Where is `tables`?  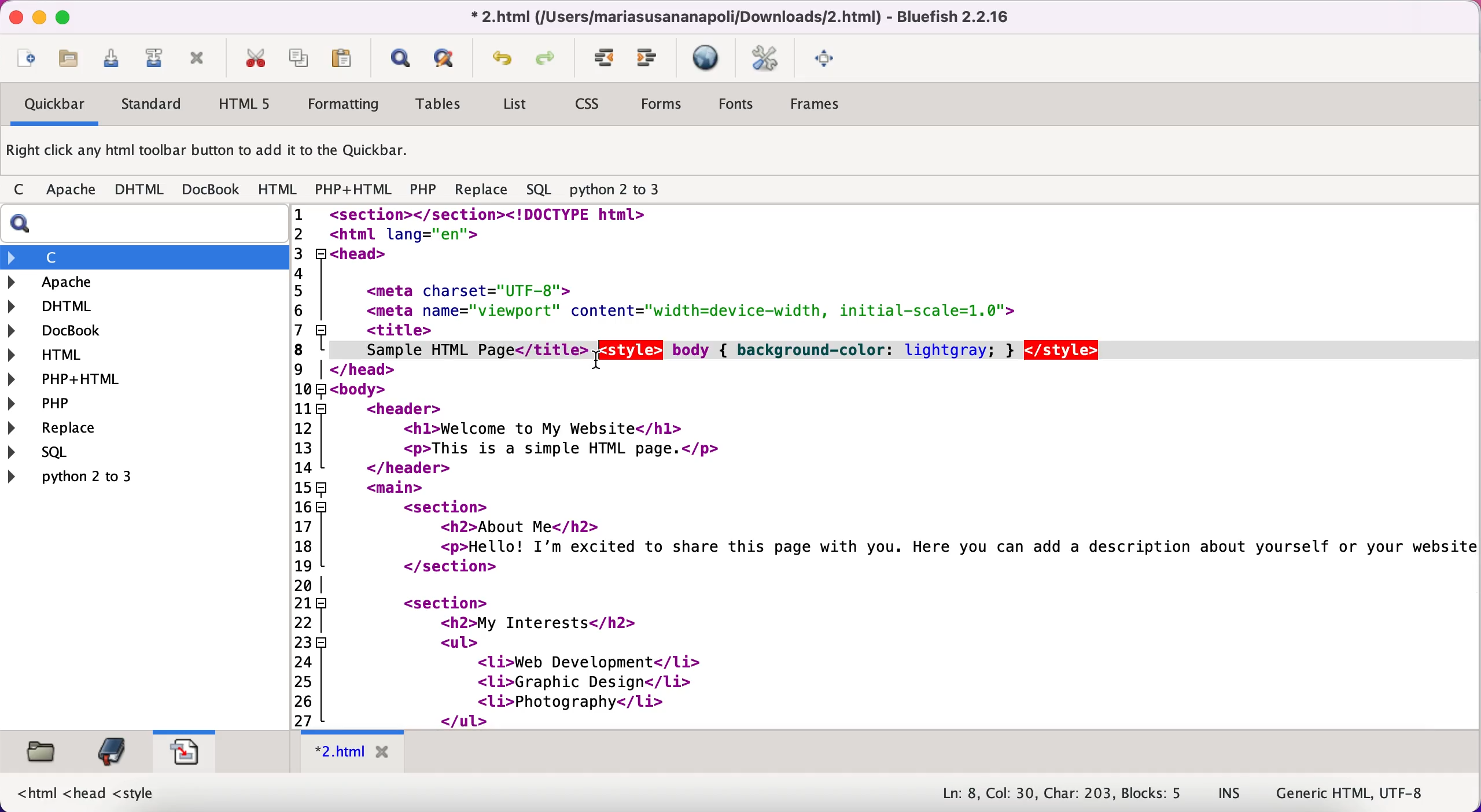
tables is located at coordinates (443, 105).